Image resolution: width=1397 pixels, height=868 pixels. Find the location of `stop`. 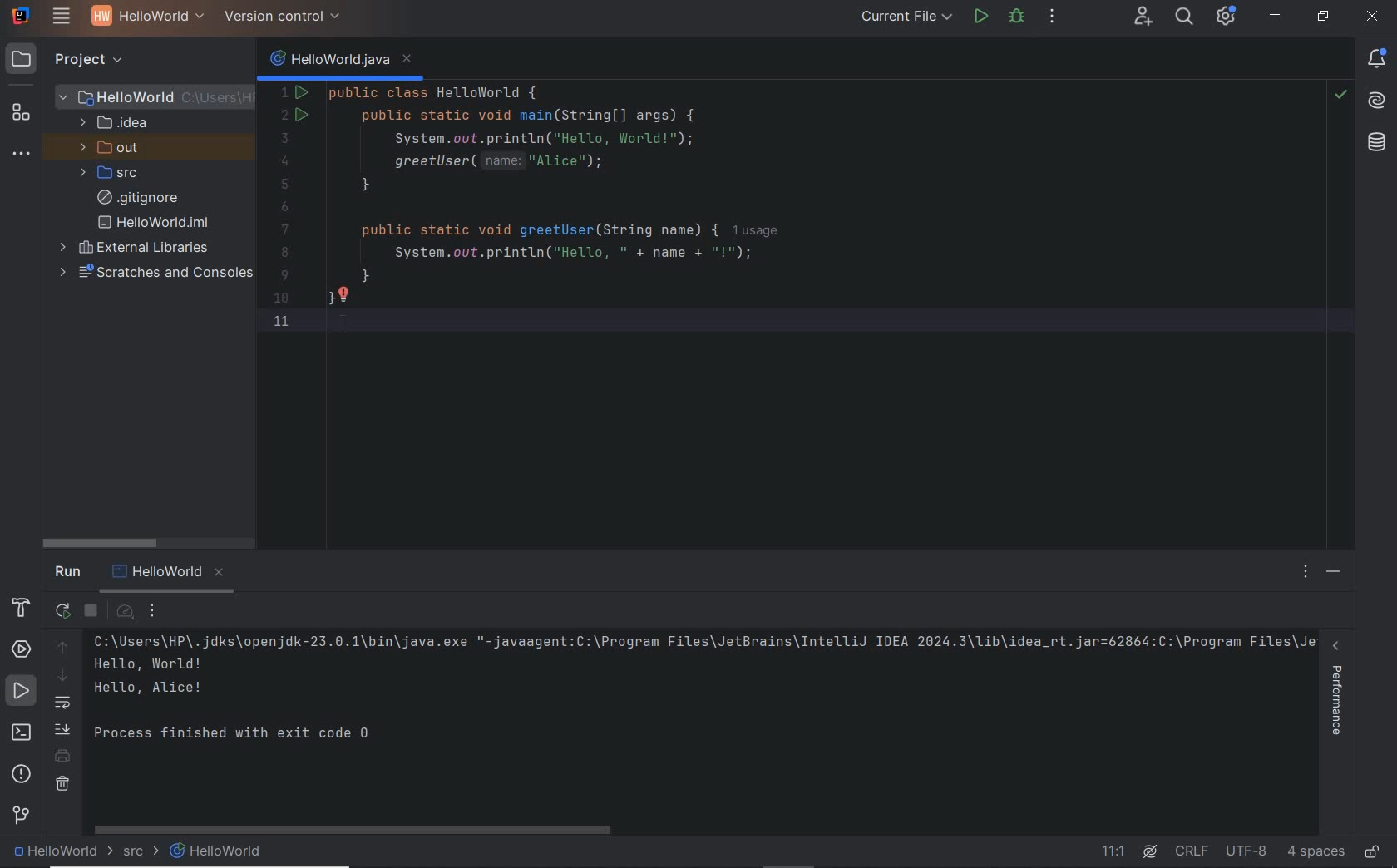

stop is located at coordinates (93, 613).